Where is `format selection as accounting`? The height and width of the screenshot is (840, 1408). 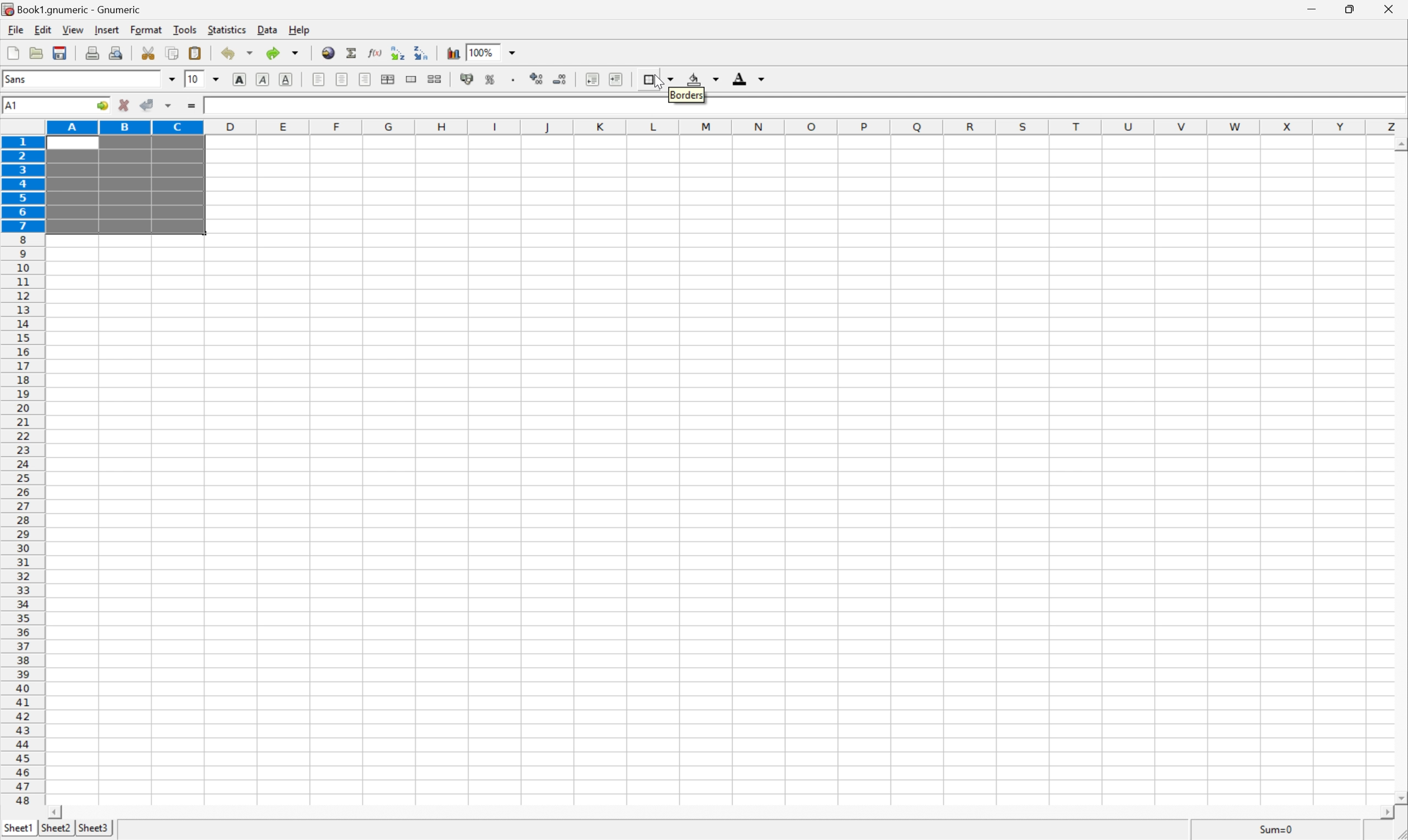
format selection as accounting is located at coordinates (468, 79).